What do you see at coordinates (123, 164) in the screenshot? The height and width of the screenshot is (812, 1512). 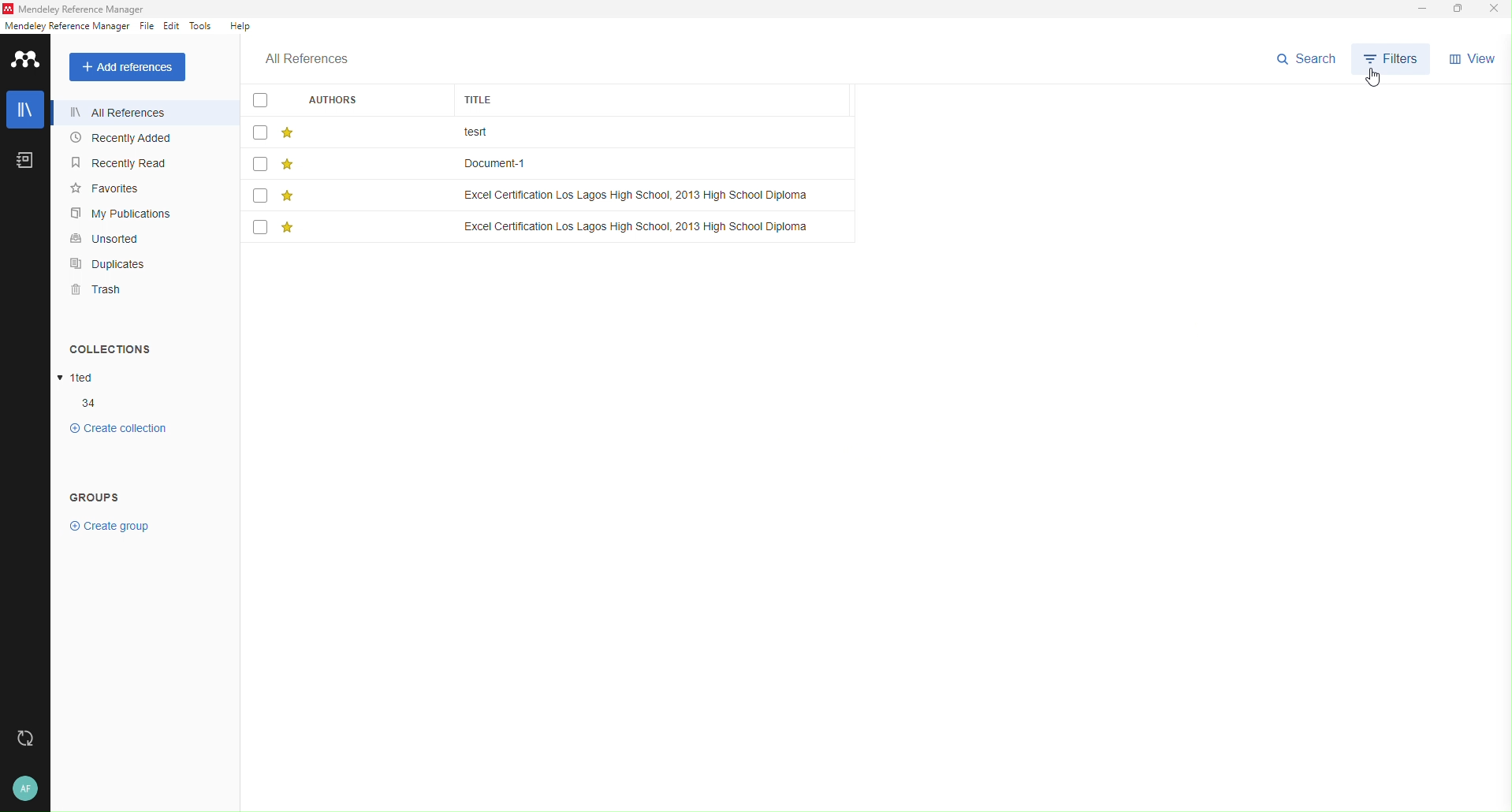 I see `Recently Read` at bounding box center [123, 164].